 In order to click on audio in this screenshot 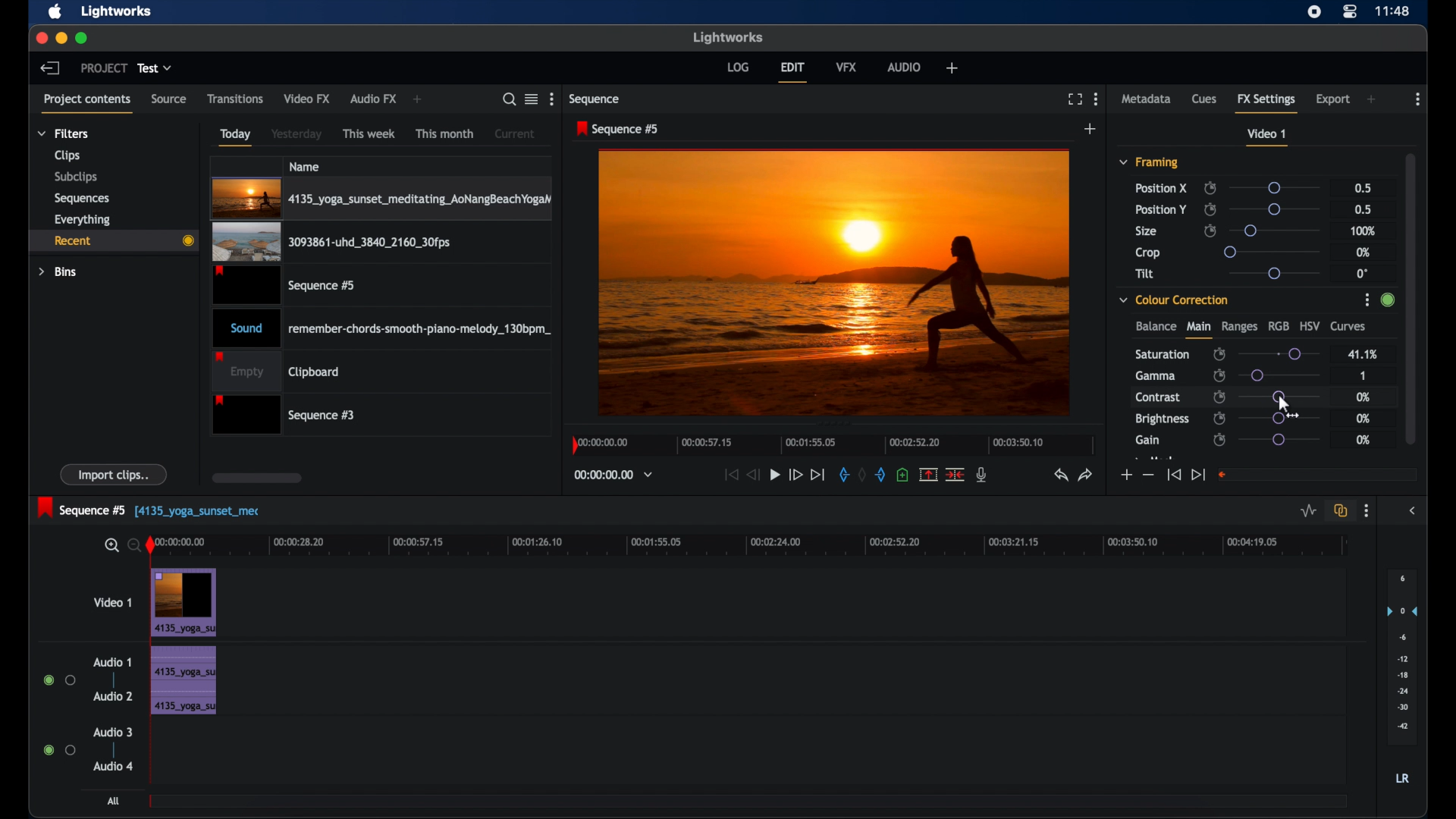, I will do `click(905, 67)`.